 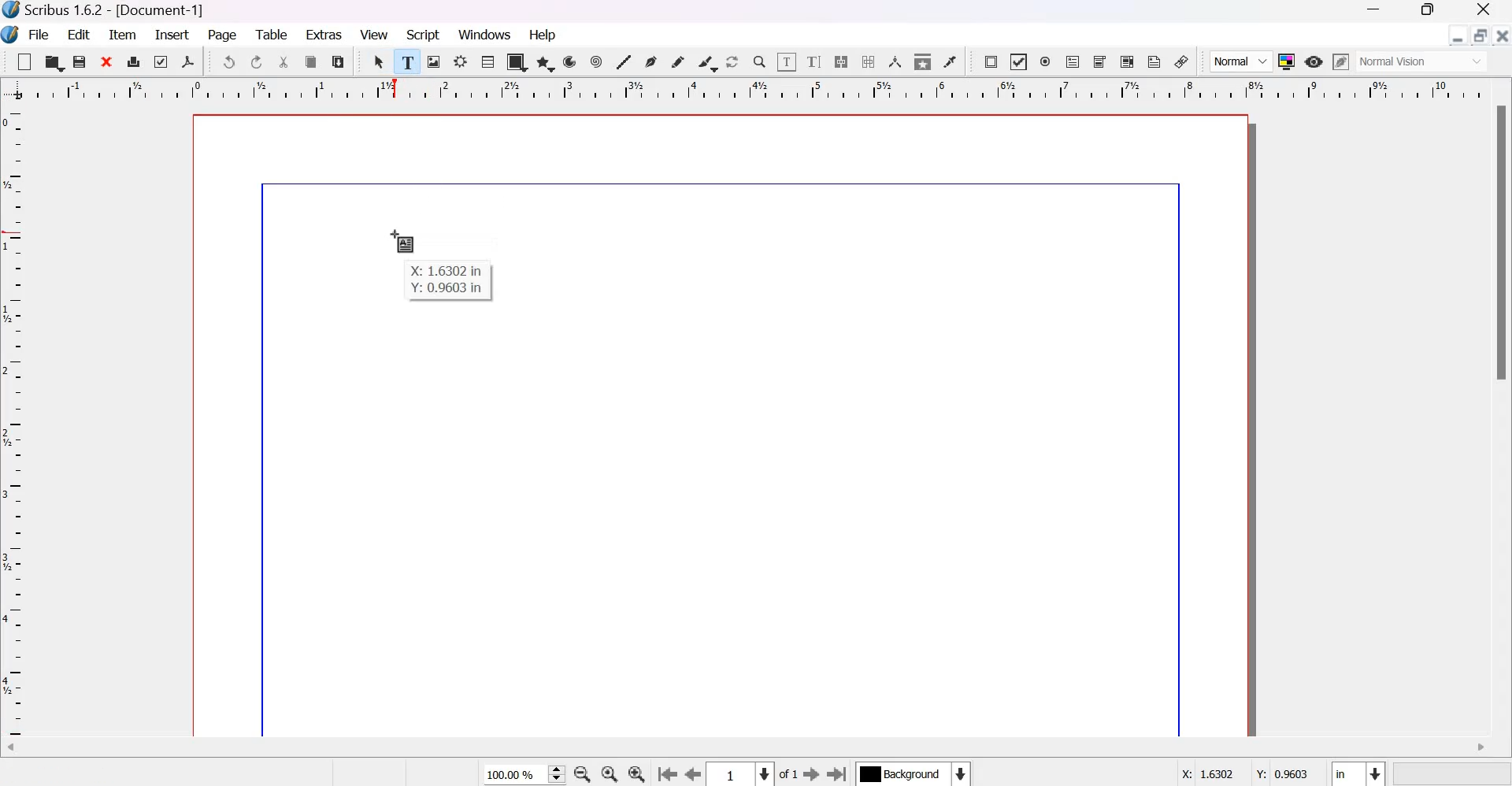 I want to click on undo, so click(x=228, y=61).